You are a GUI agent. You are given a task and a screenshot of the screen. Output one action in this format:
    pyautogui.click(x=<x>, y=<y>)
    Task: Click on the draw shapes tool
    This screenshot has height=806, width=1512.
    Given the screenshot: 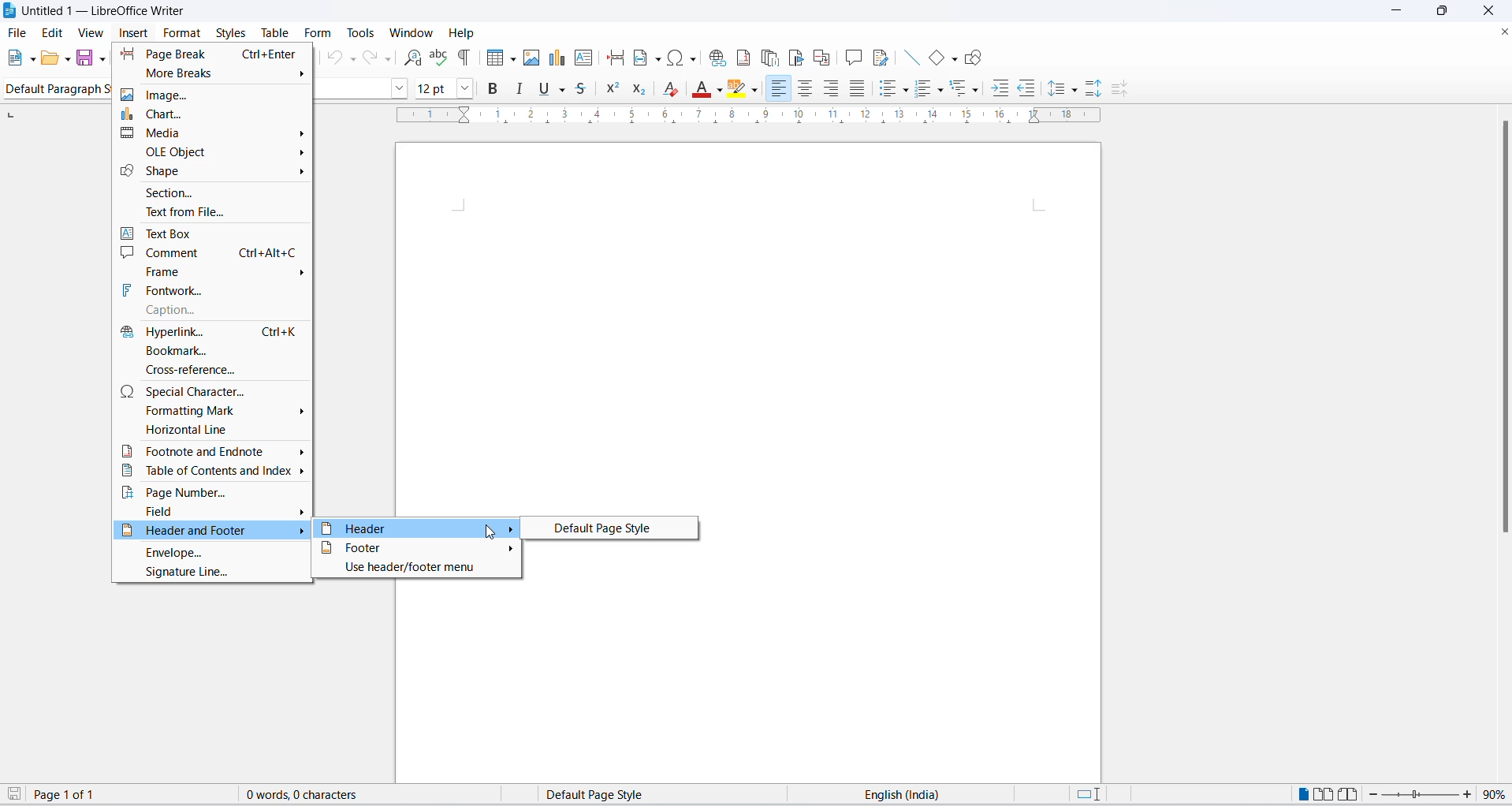 What is the action you would take?
    pyautogui.click(x=976, y=58)
    